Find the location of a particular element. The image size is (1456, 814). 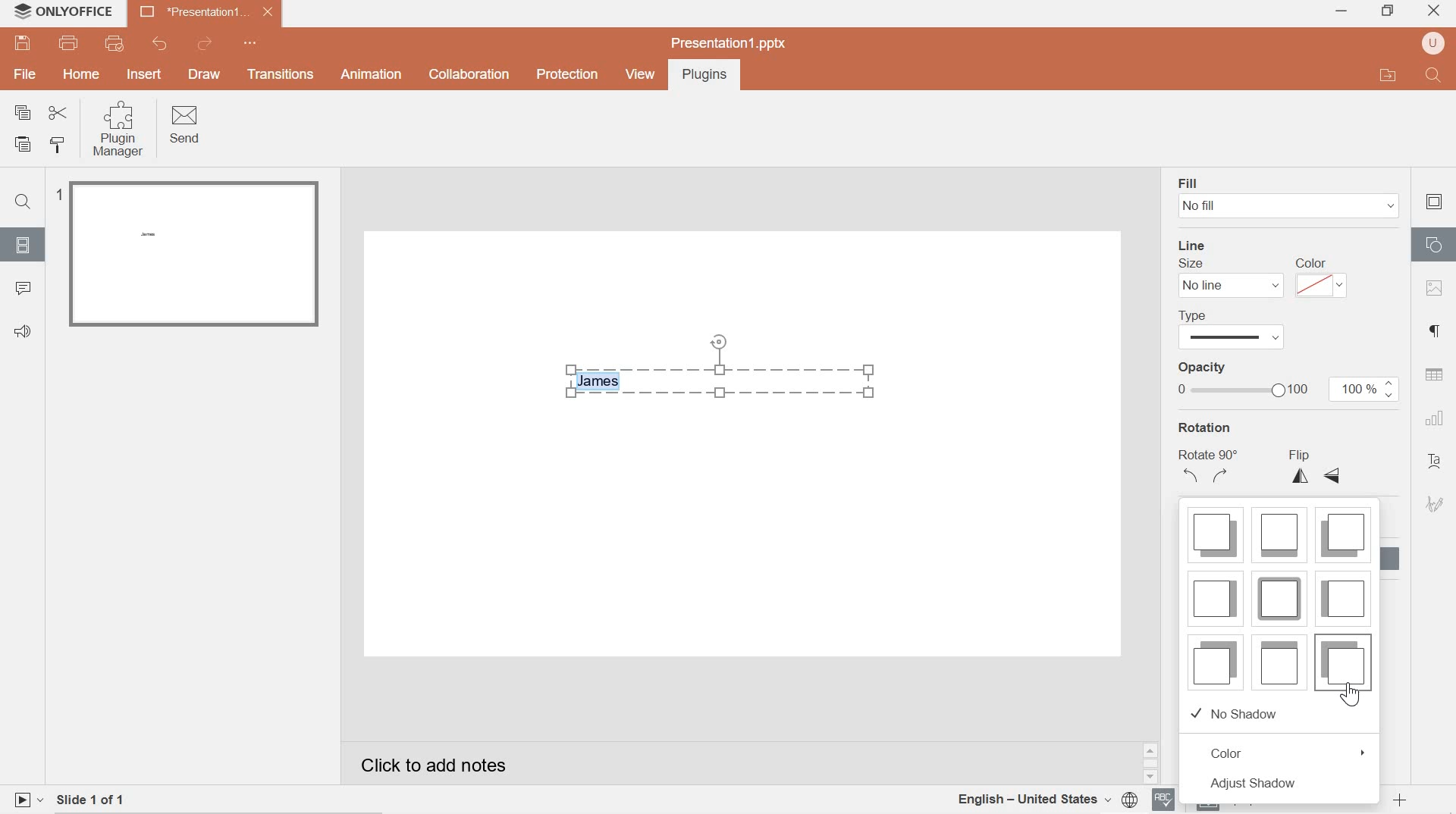

DRAW is located at coordinates (207, 76).